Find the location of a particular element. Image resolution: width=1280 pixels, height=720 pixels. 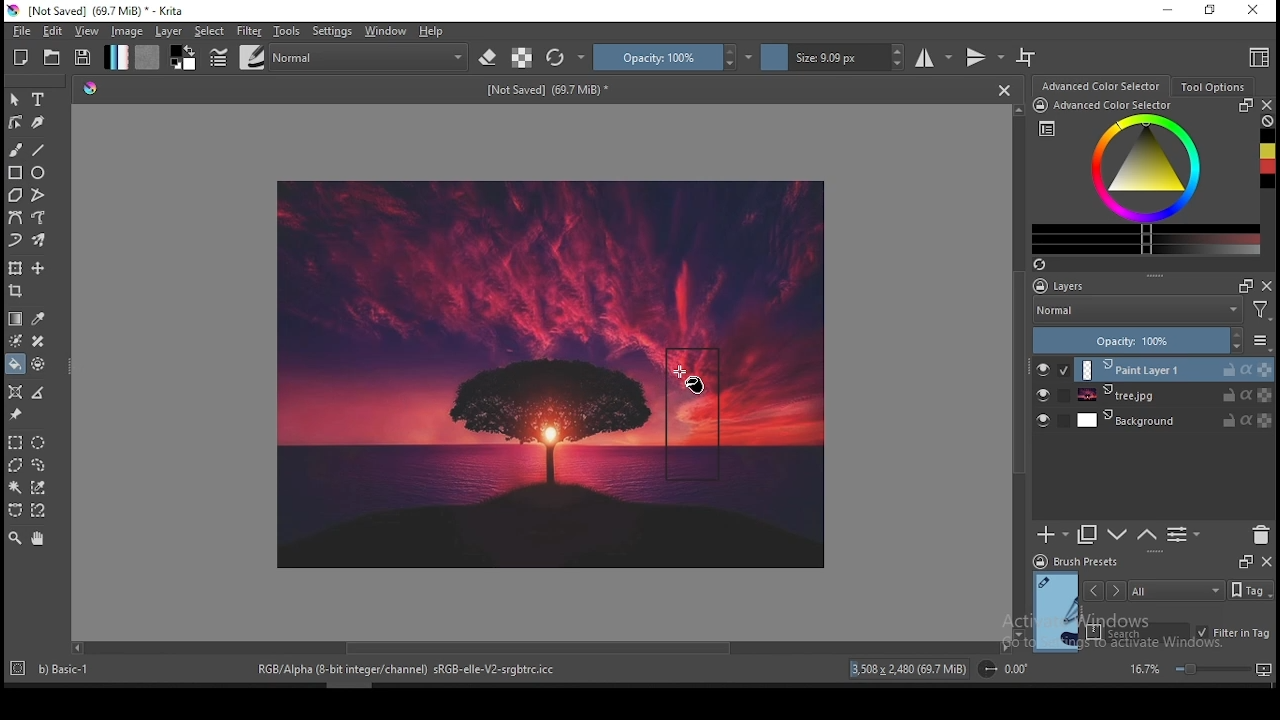

smart patch tool is located at coordinates (38, 341).